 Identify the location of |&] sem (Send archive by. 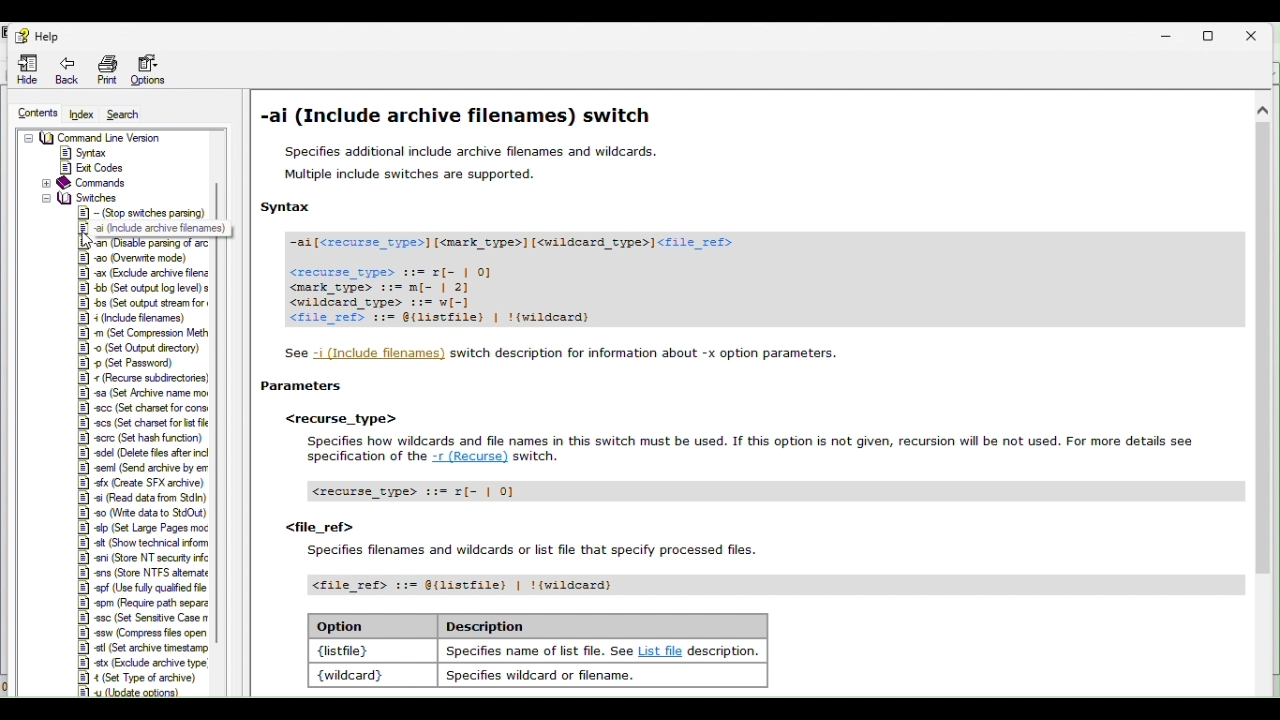
(142, 469).